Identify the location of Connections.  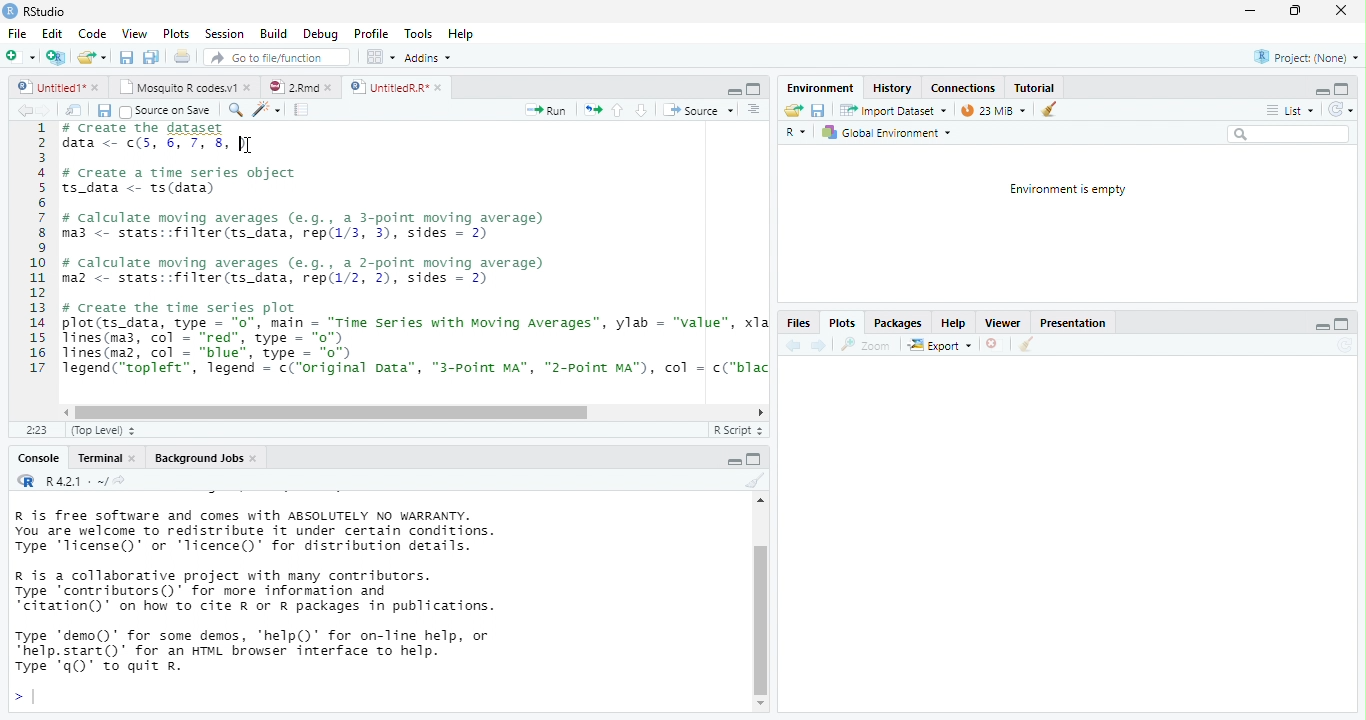
(962, 88).